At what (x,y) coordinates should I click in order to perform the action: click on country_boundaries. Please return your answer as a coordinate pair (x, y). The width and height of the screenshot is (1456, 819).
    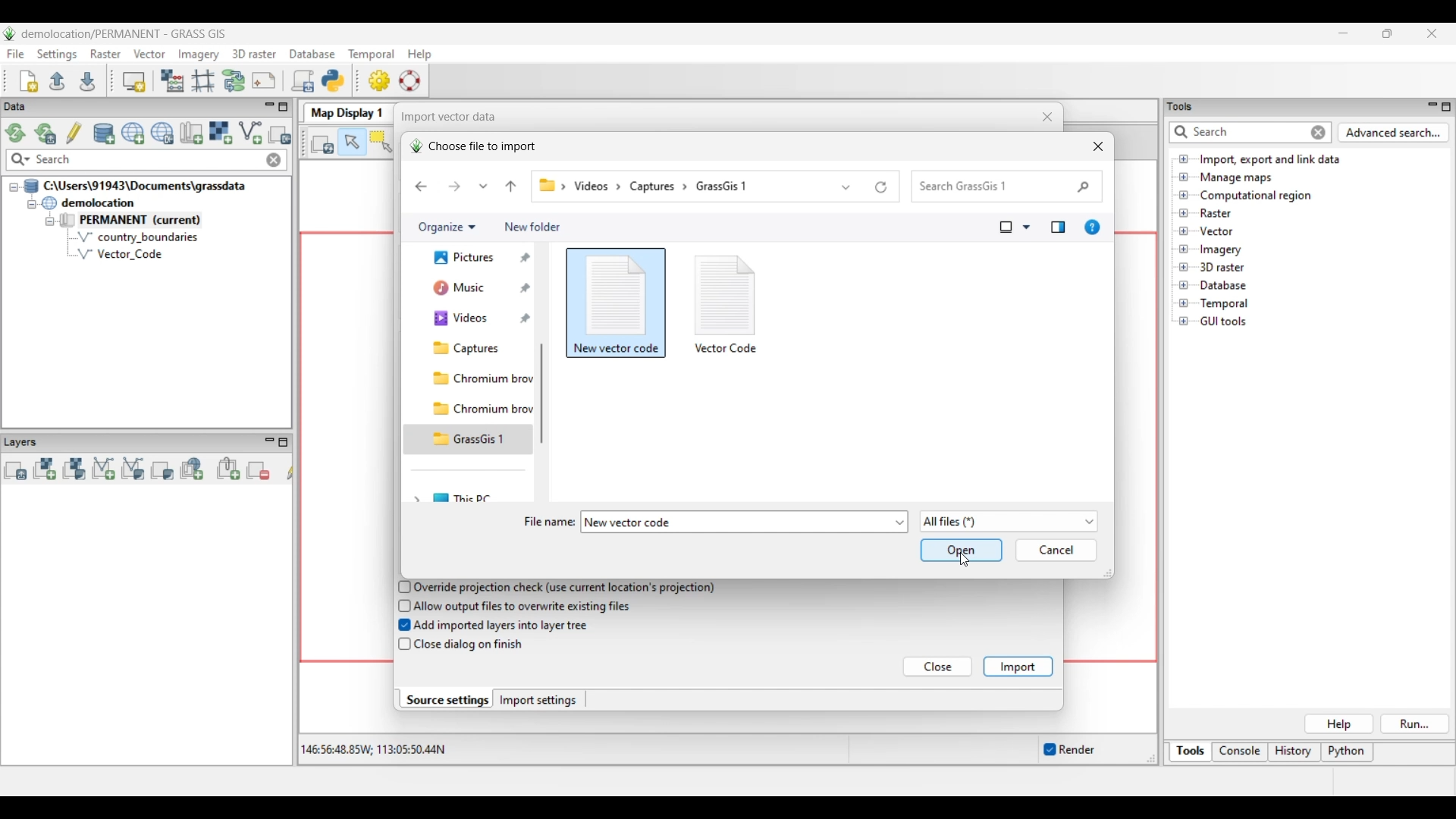
    Looking at the image, I should click on (138, 237).